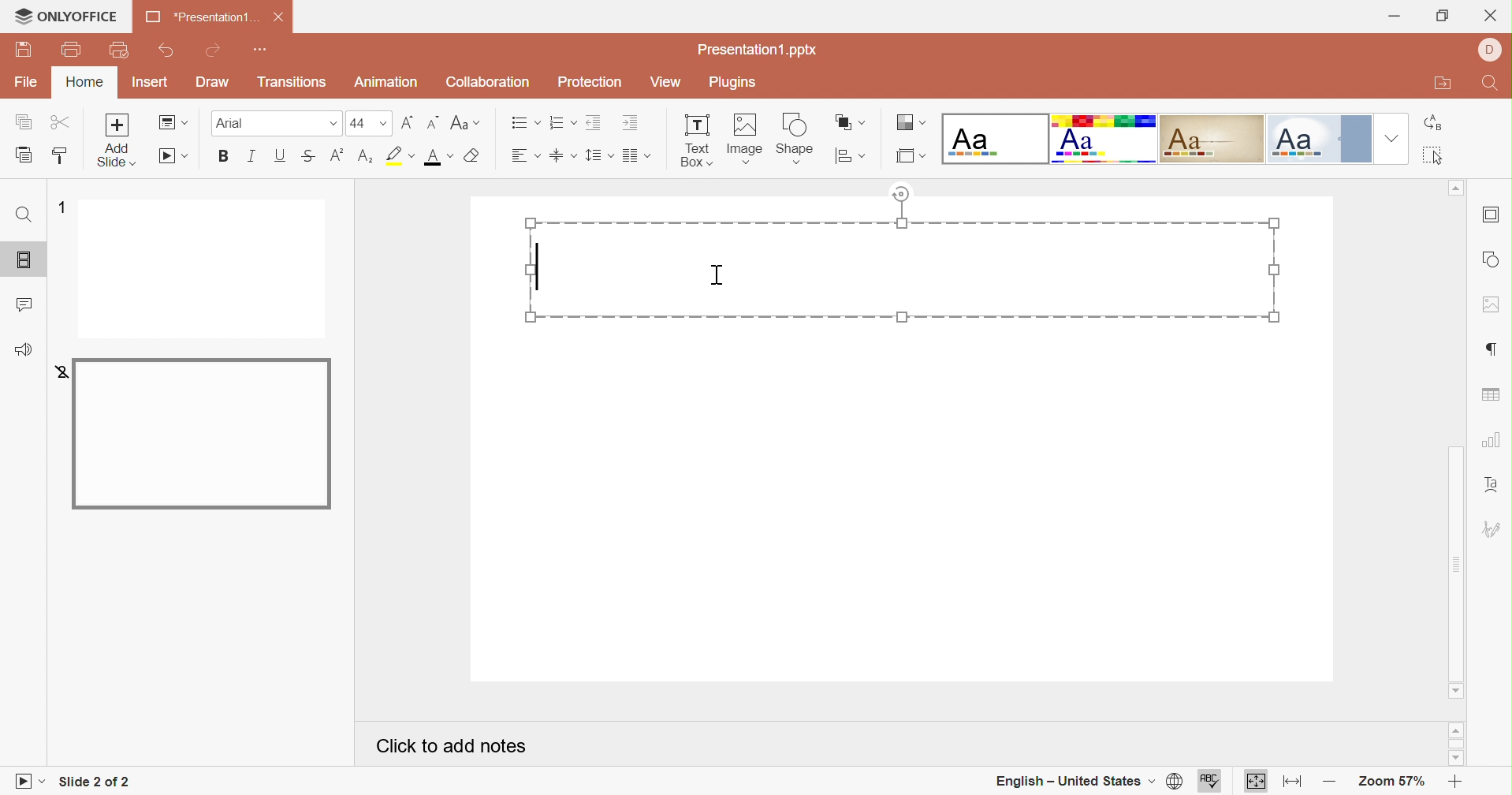  What do you see at coordinates (26, 155) in the screenshot?
I see `Paste` at bounding box center [26, 155].